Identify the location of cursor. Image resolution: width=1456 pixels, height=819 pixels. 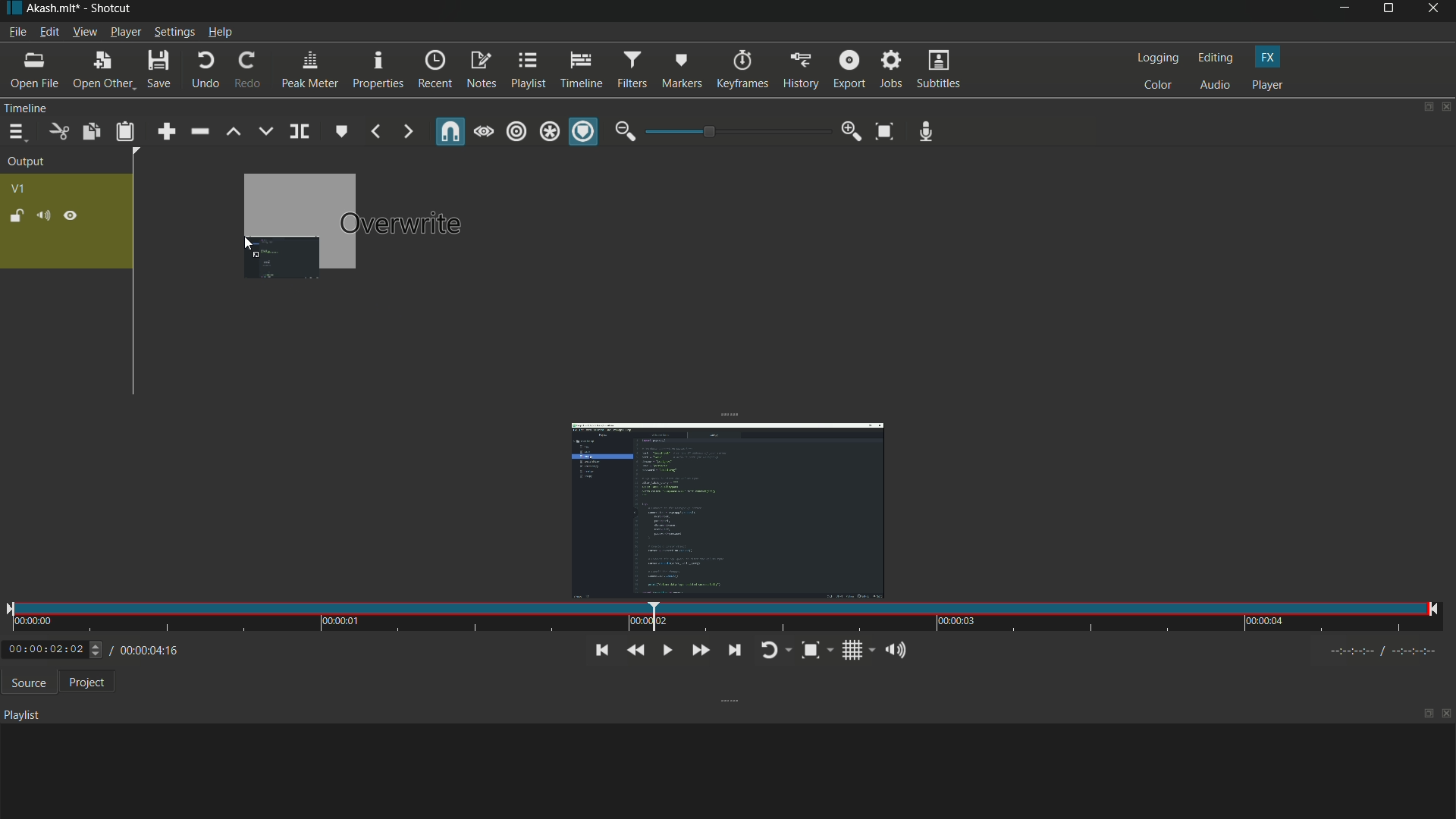
(249, 244).